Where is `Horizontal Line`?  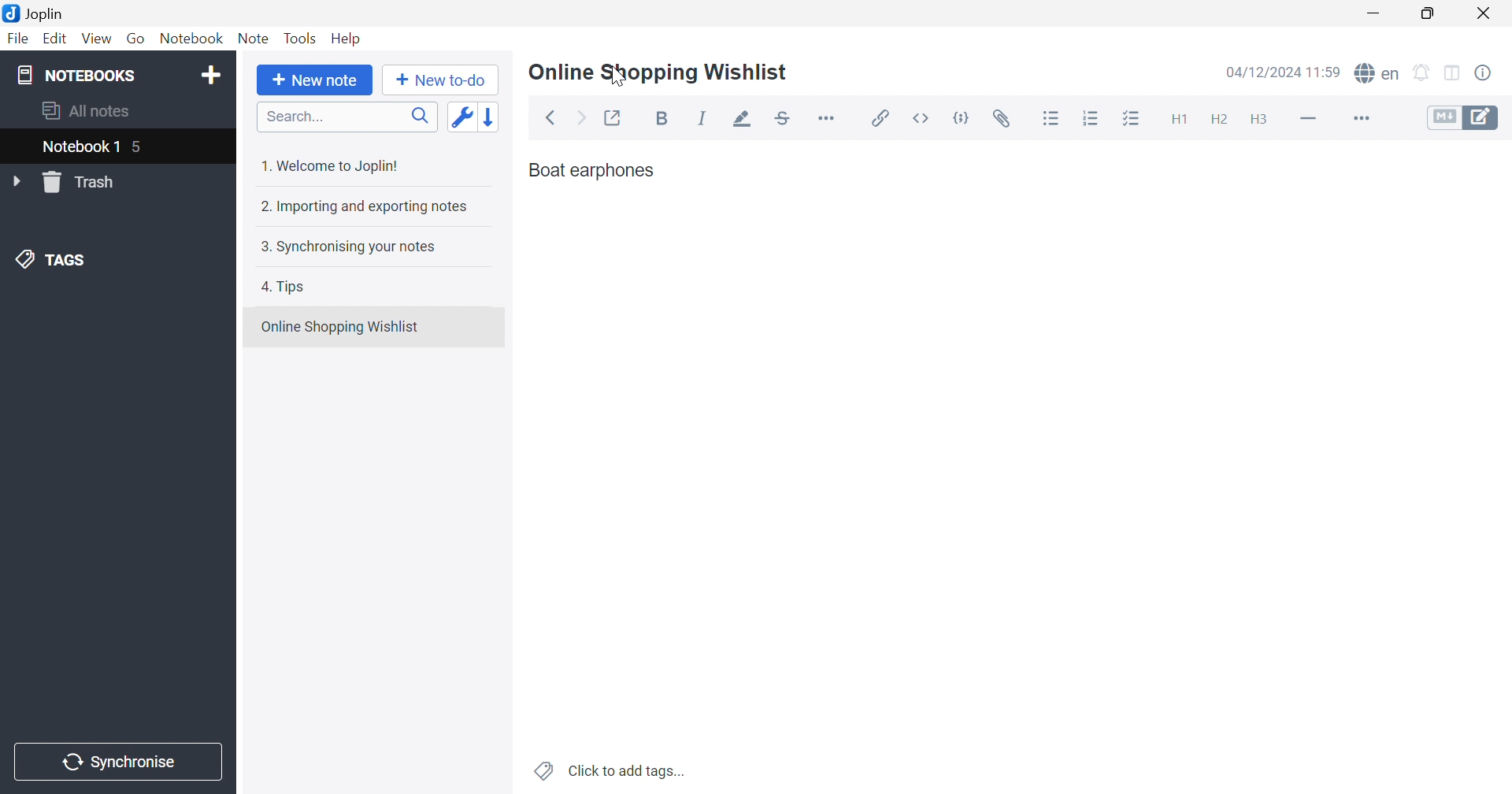
Horizontal Line is located at coordinates (1307, 120).